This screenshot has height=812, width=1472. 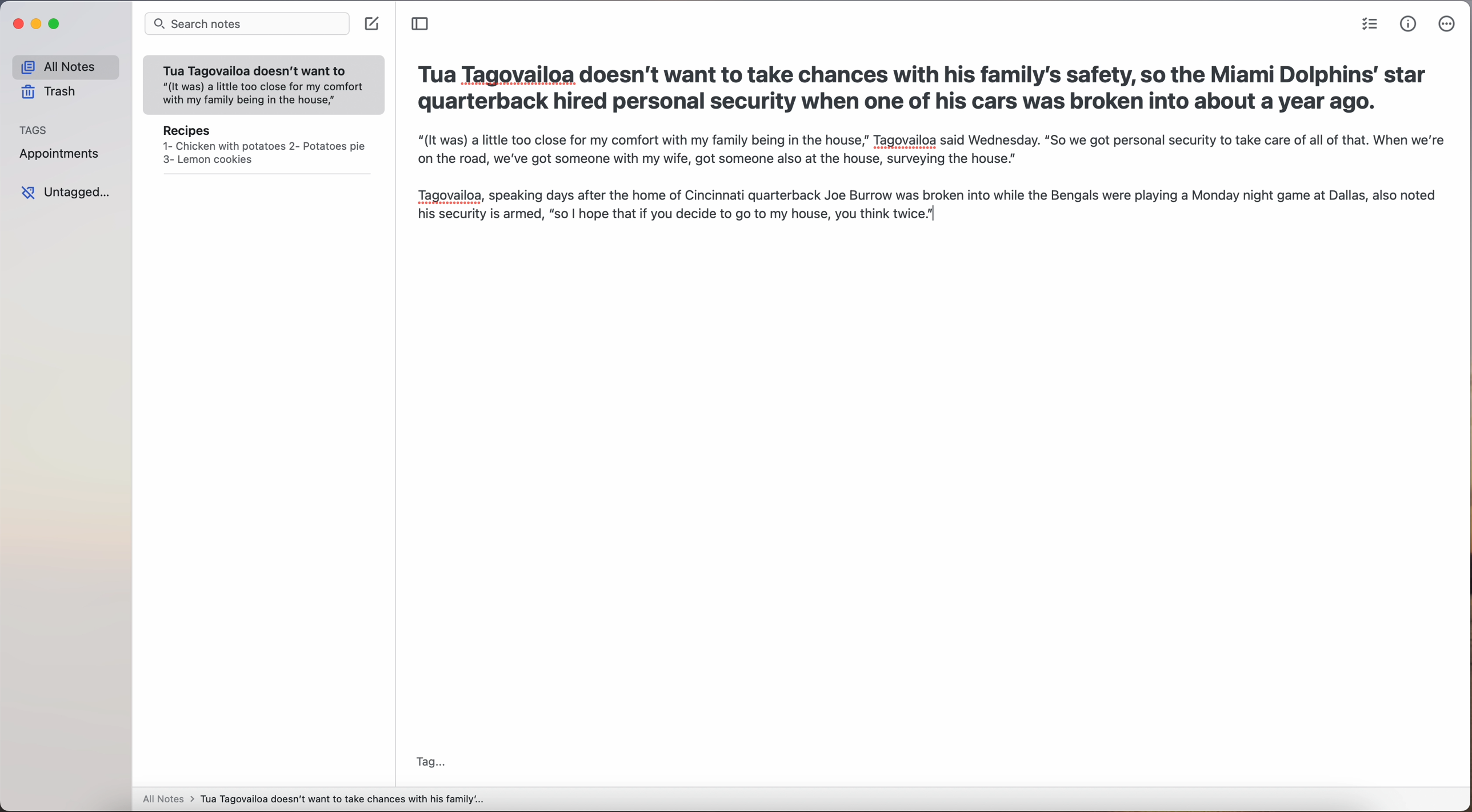 I want to click on untagged, so click(x=65, y=192).